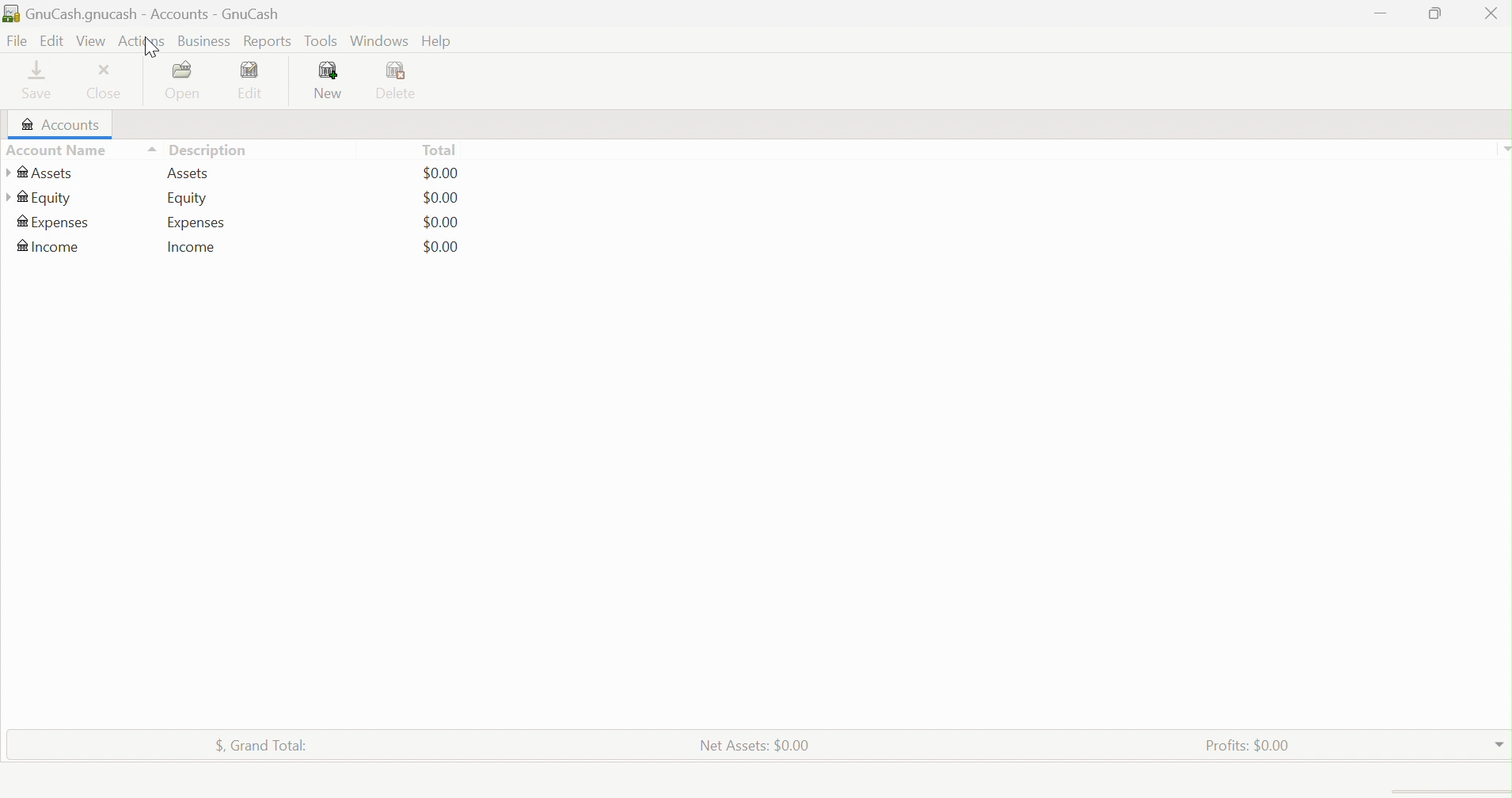 The image size is (1512, 798). I want to click on New, so click(330, 81).